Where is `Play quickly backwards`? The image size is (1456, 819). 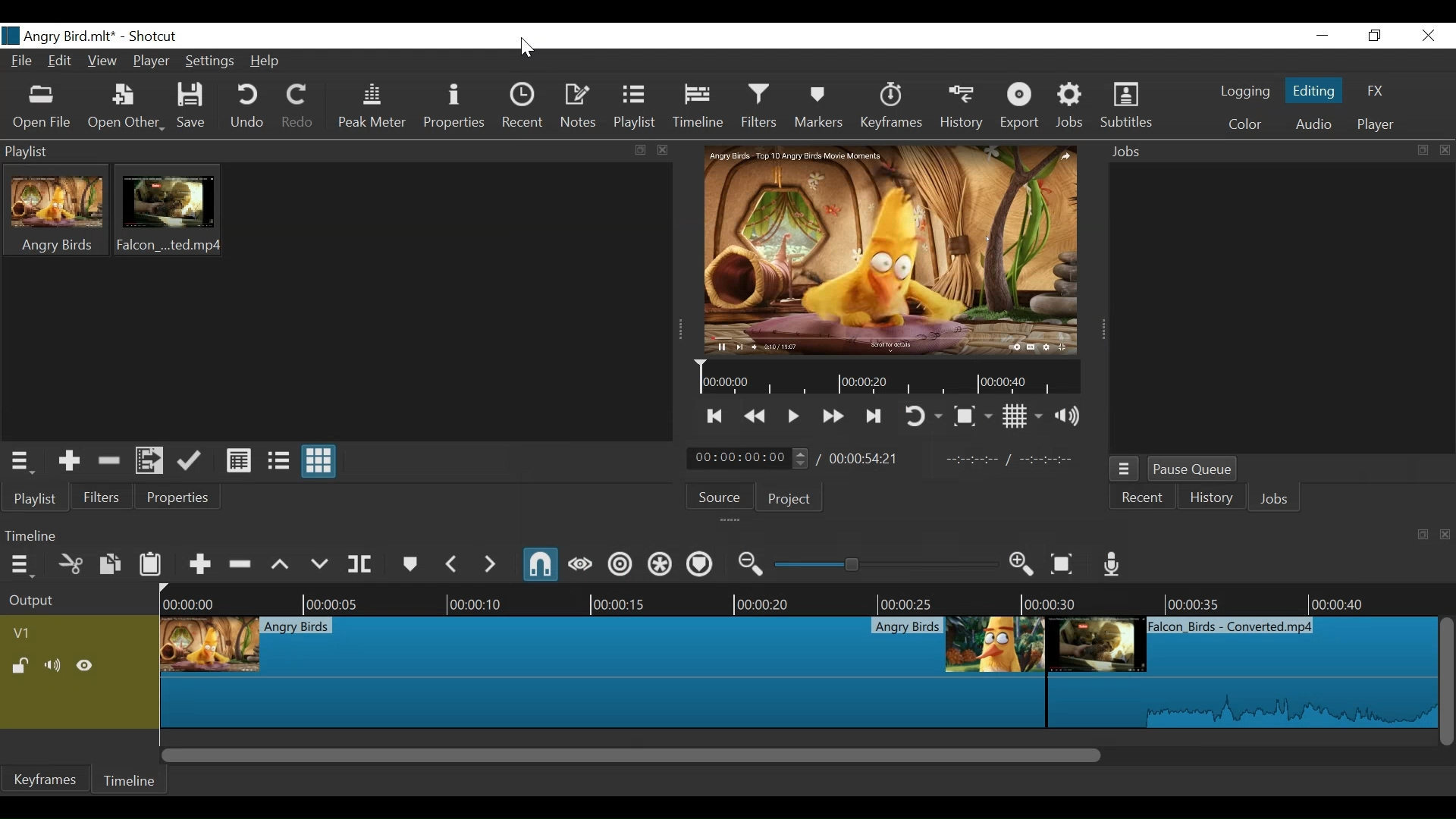
Play quickly backwards is located at coordinates (754, 416).